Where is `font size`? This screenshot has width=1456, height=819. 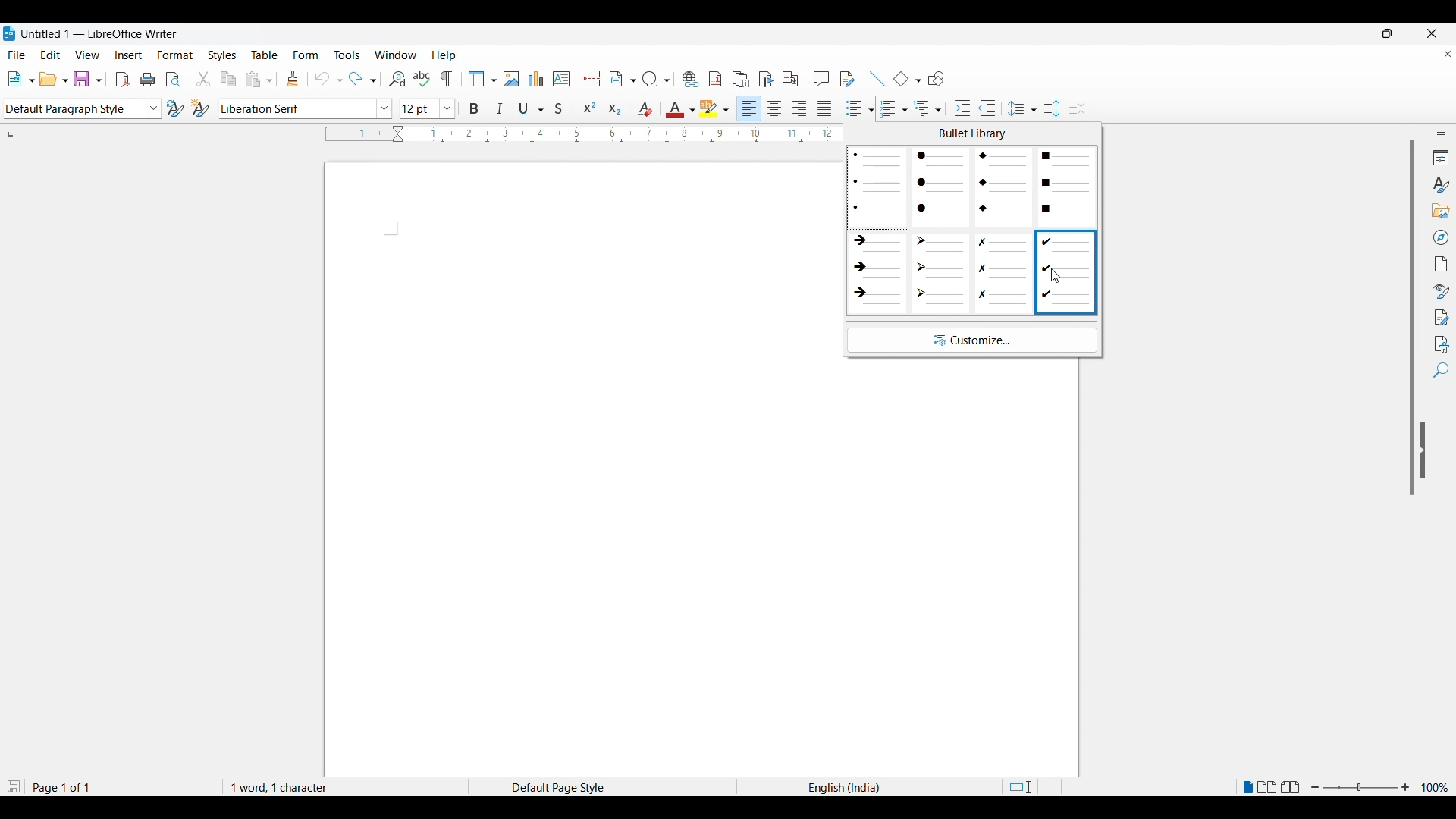 font size is located at coordinates (425, 108).